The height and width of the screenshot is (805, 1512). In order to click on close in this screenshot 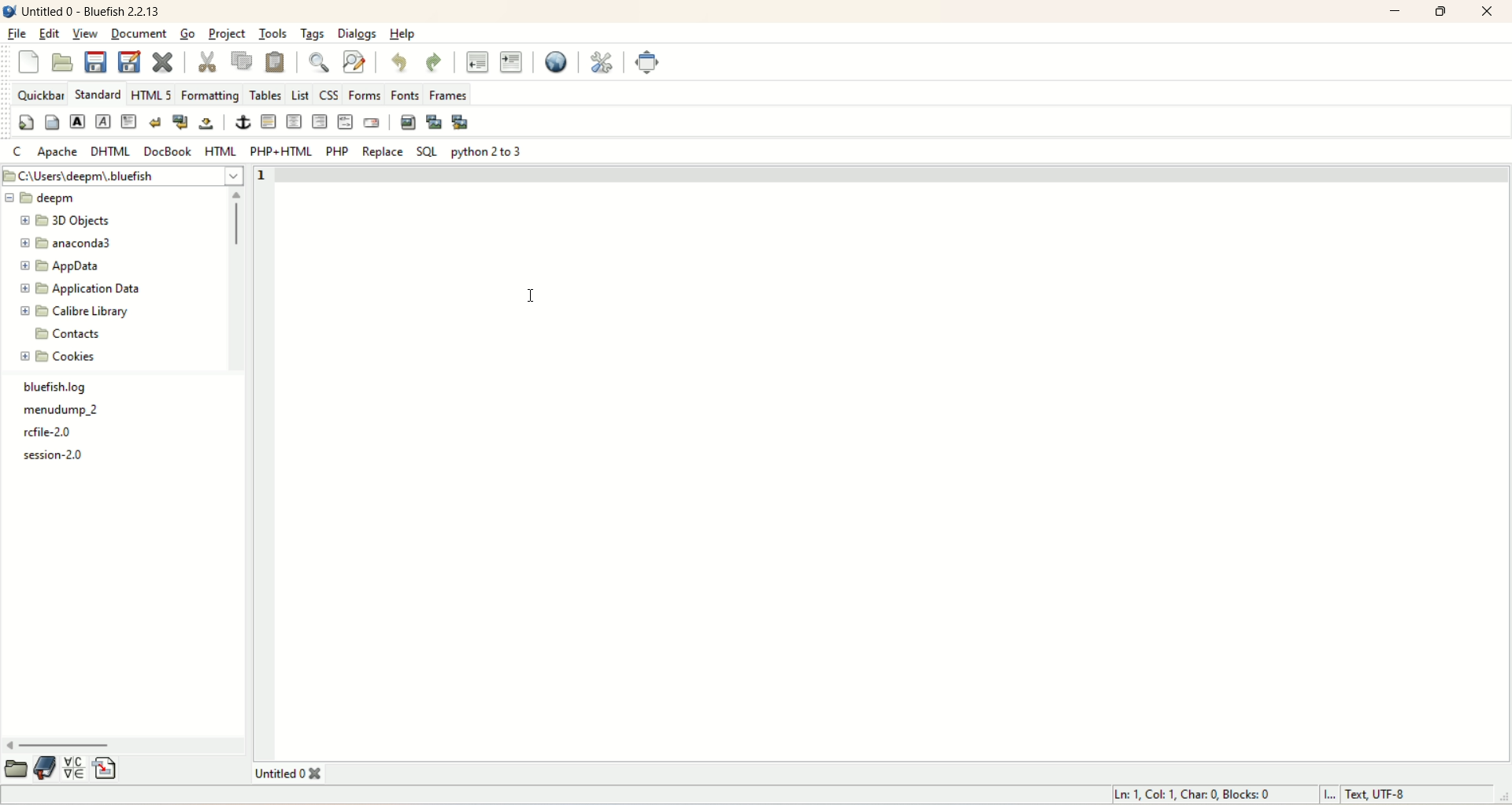, I will do `click(27, 63)`.